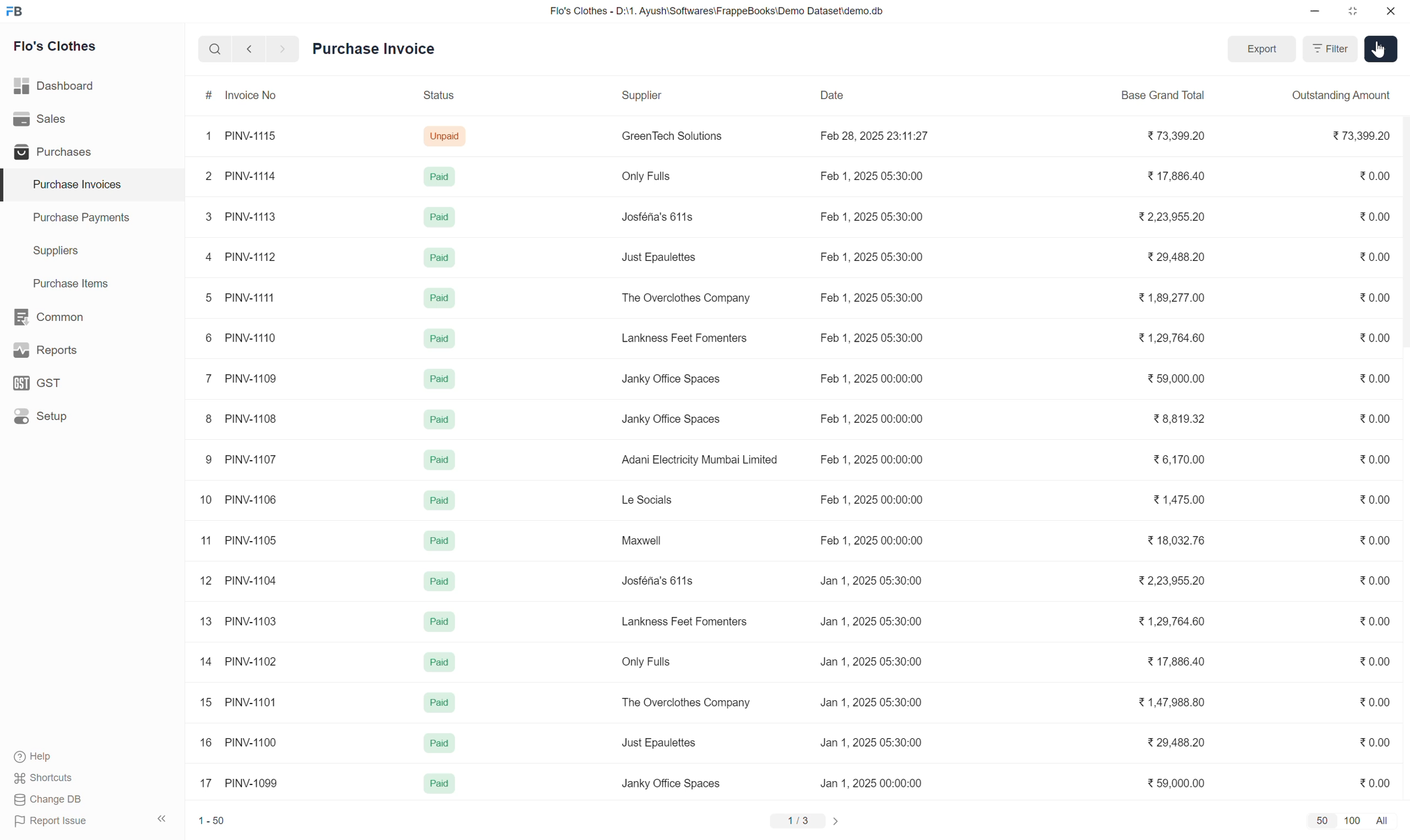  What do you see at coordinates (683, 418) in the screenshot?
I see `Janky Office Spaces` at bounding box center [683, 418].